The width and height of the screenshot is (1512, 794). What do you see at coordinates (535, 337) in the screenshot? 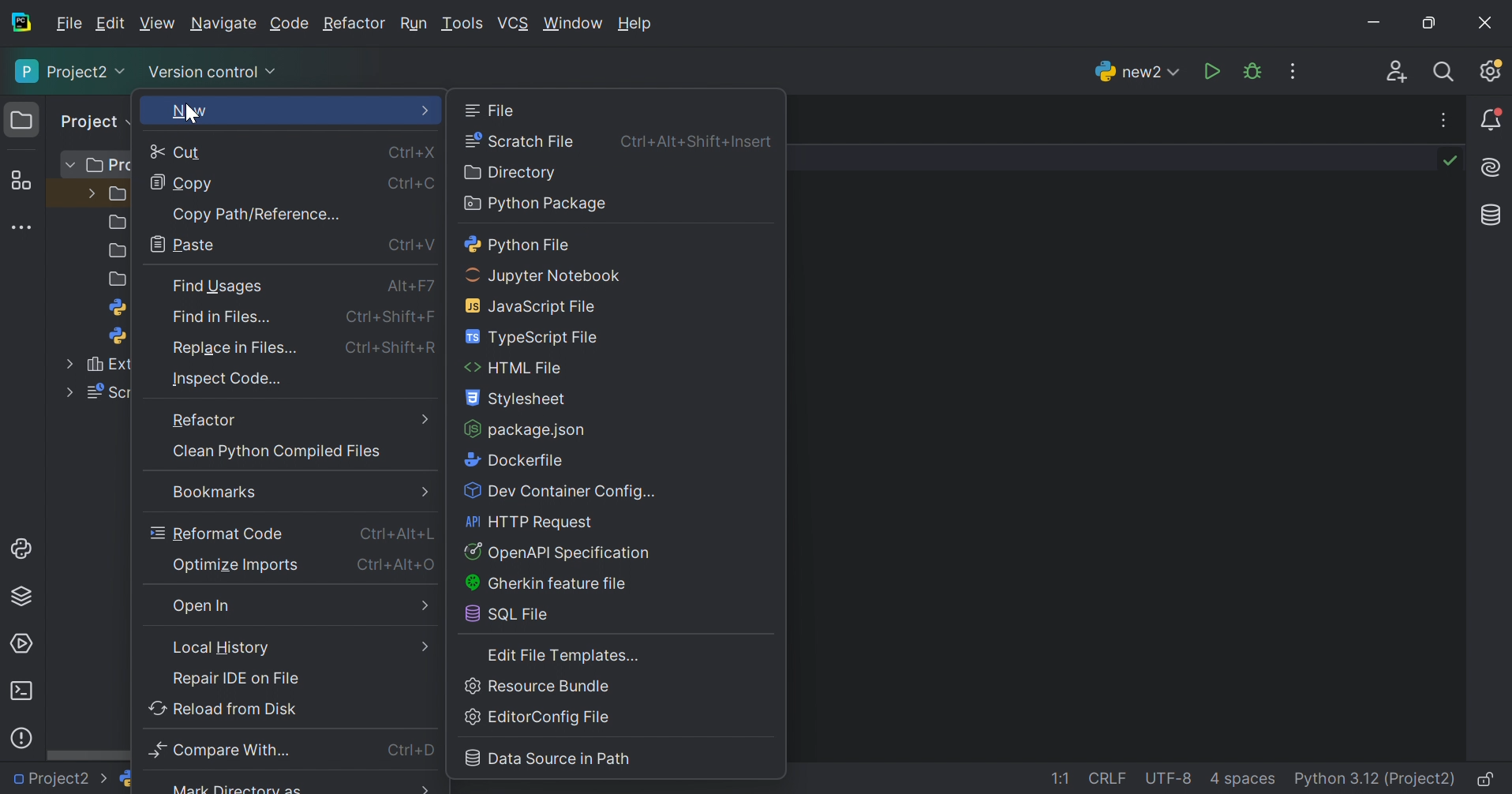
I see `TypeScript file` at bounding box center [535, 337].